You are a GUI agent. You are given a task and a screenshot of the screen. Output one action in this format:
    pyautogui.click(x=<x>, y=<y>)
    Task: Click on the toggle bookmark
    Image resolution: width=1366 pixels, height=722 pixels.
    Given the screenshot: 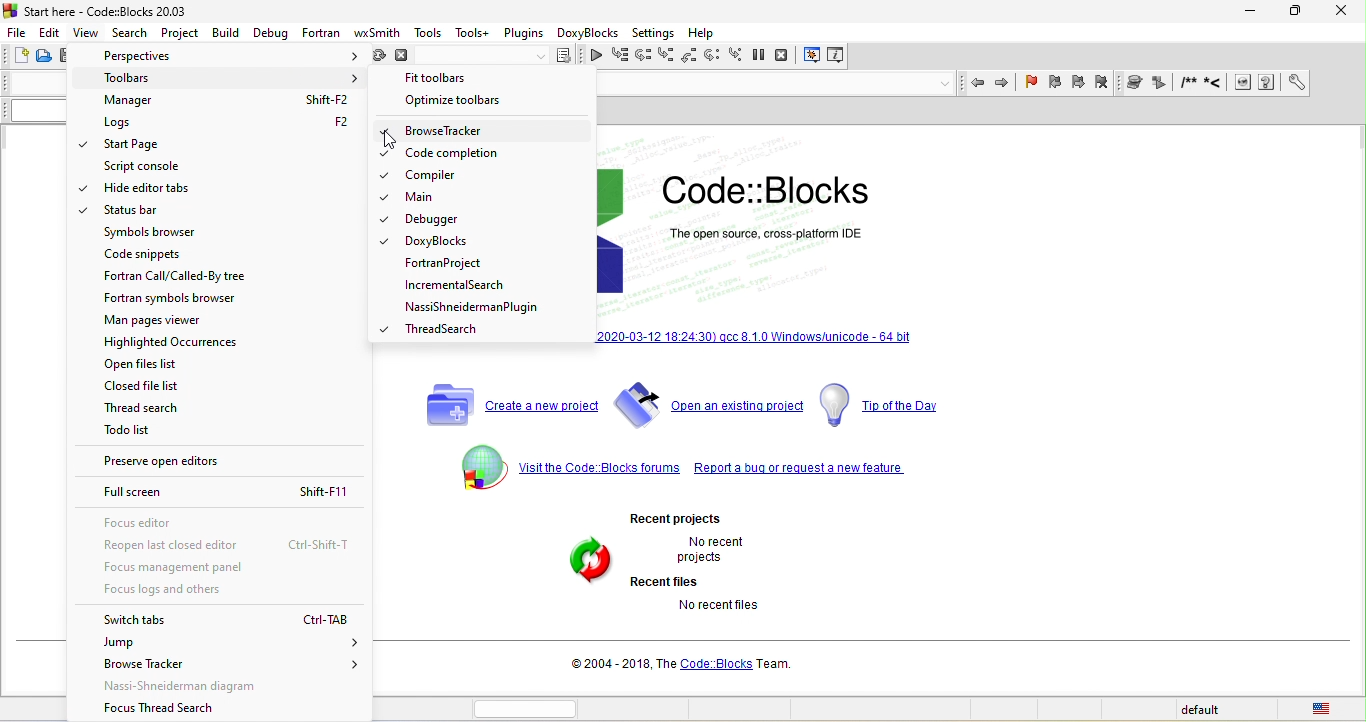 What is the action you would take?
    pyautogui.click(x=1032, y=85)
    